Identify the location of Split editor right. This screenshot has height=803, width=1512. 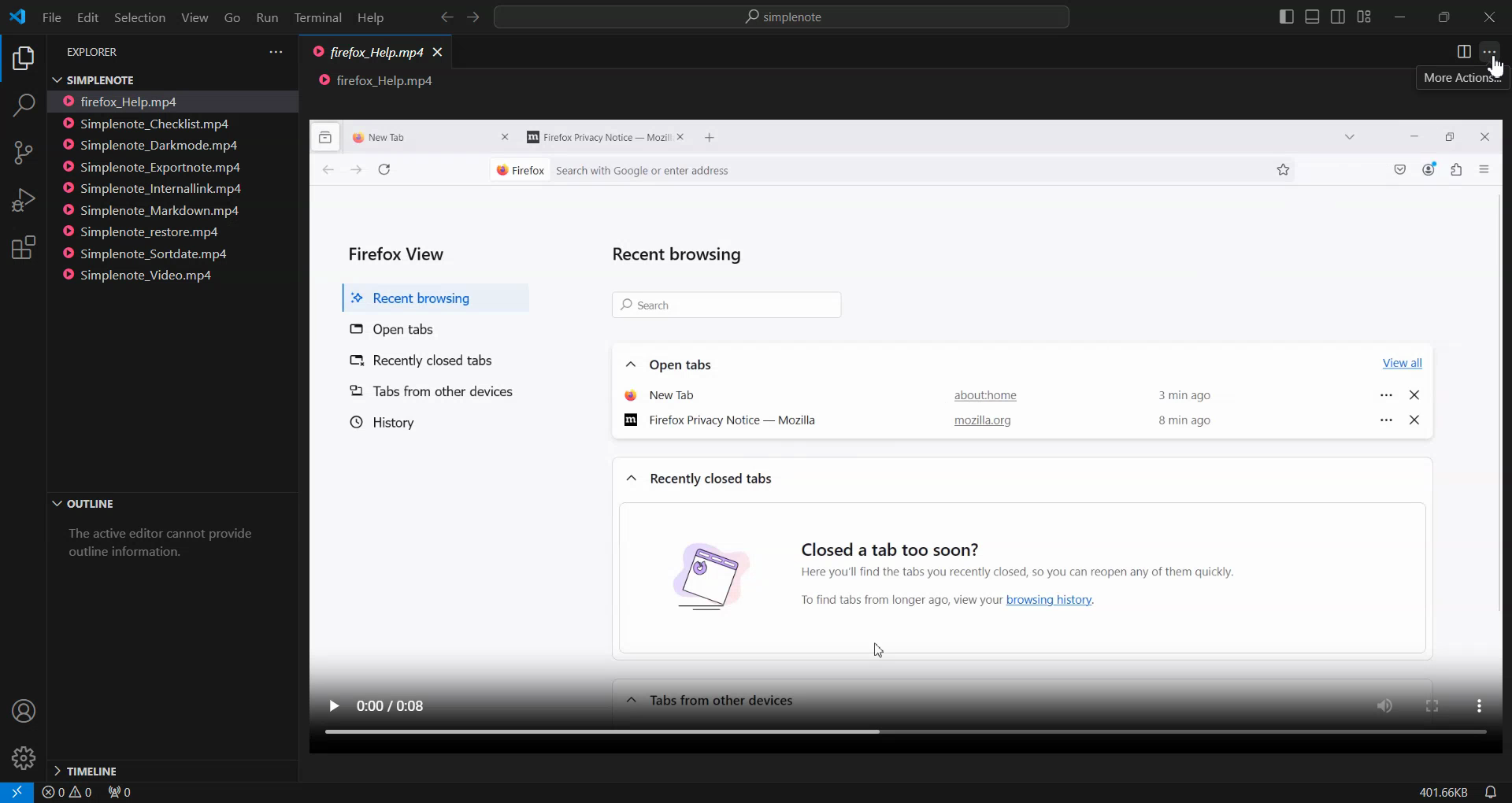
(1464, 52).